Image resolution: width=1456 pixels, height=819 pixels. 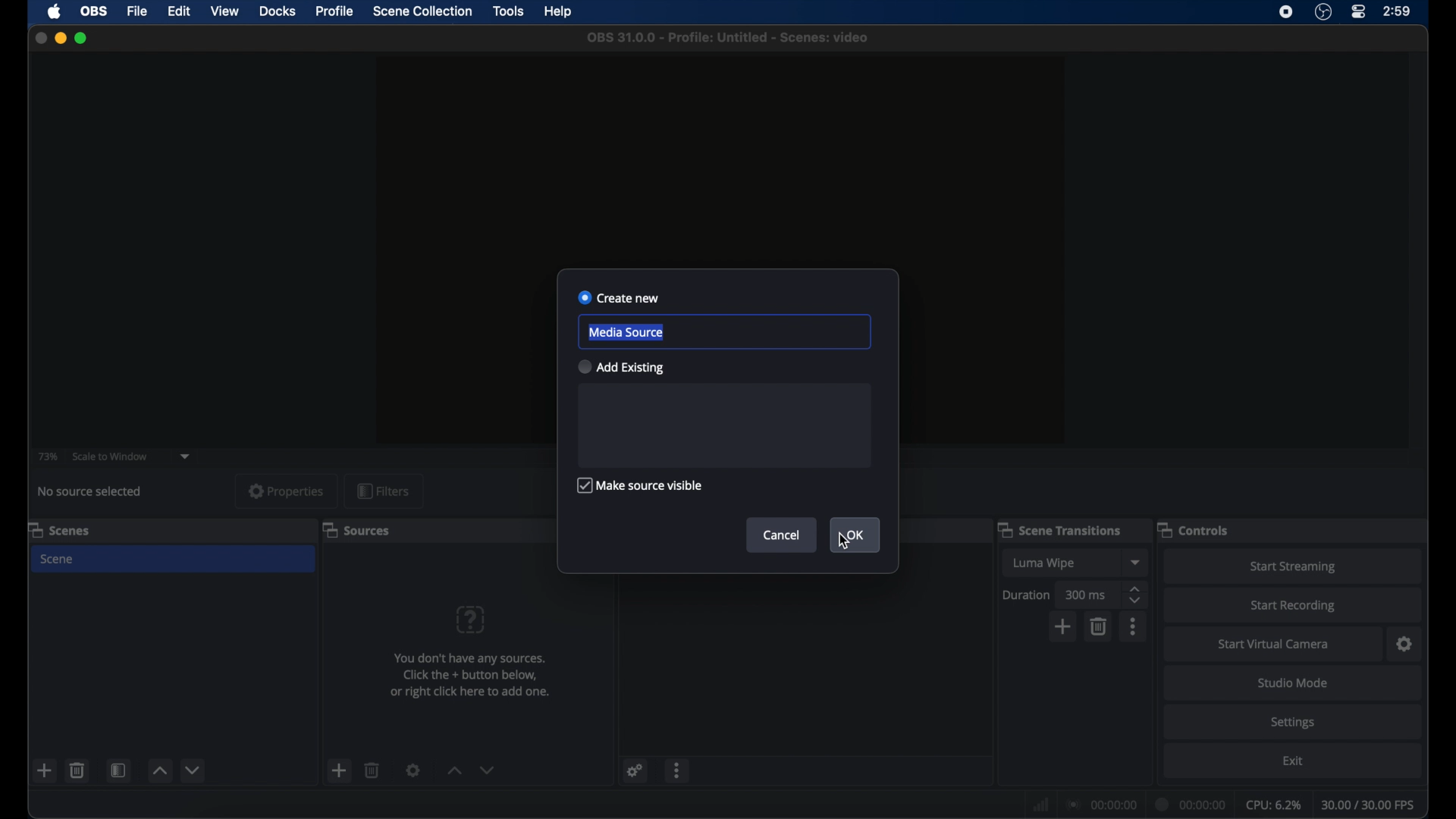 What do you see at coordinates (626, 332) in the screenshot?
I see `media source` at bounding box center [626, 332].